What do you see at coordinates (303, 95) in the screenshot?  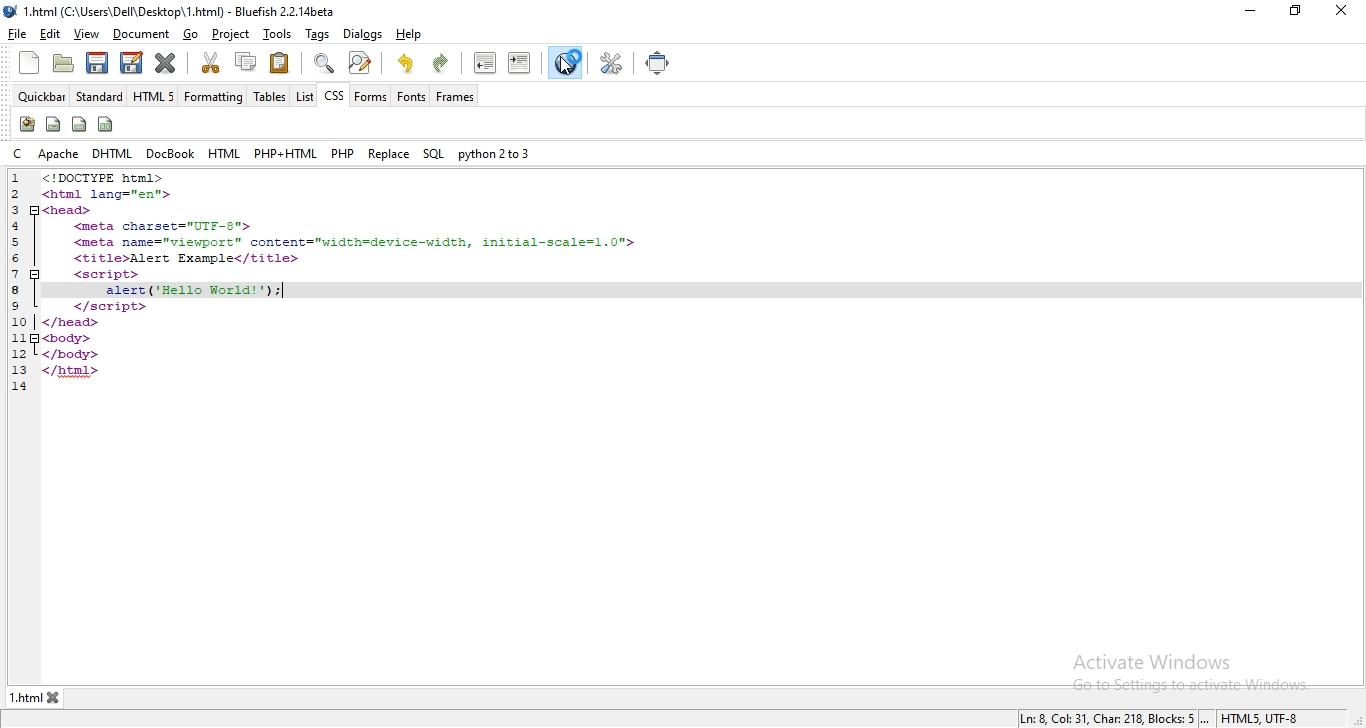 I see `list` at bounding box center [303, 95].